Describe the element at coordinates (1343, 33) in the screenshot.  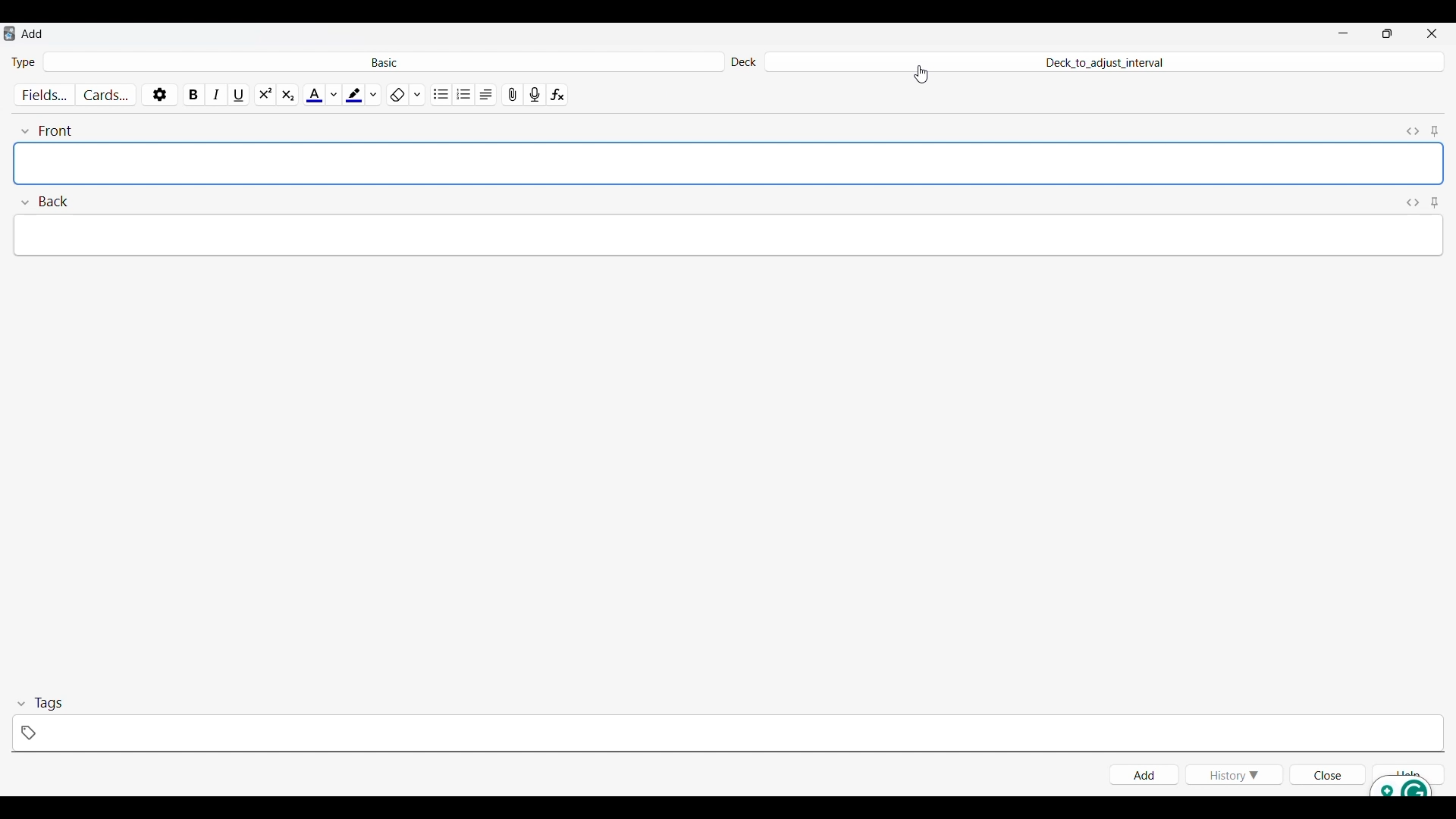
I see `Minimize` at that location.